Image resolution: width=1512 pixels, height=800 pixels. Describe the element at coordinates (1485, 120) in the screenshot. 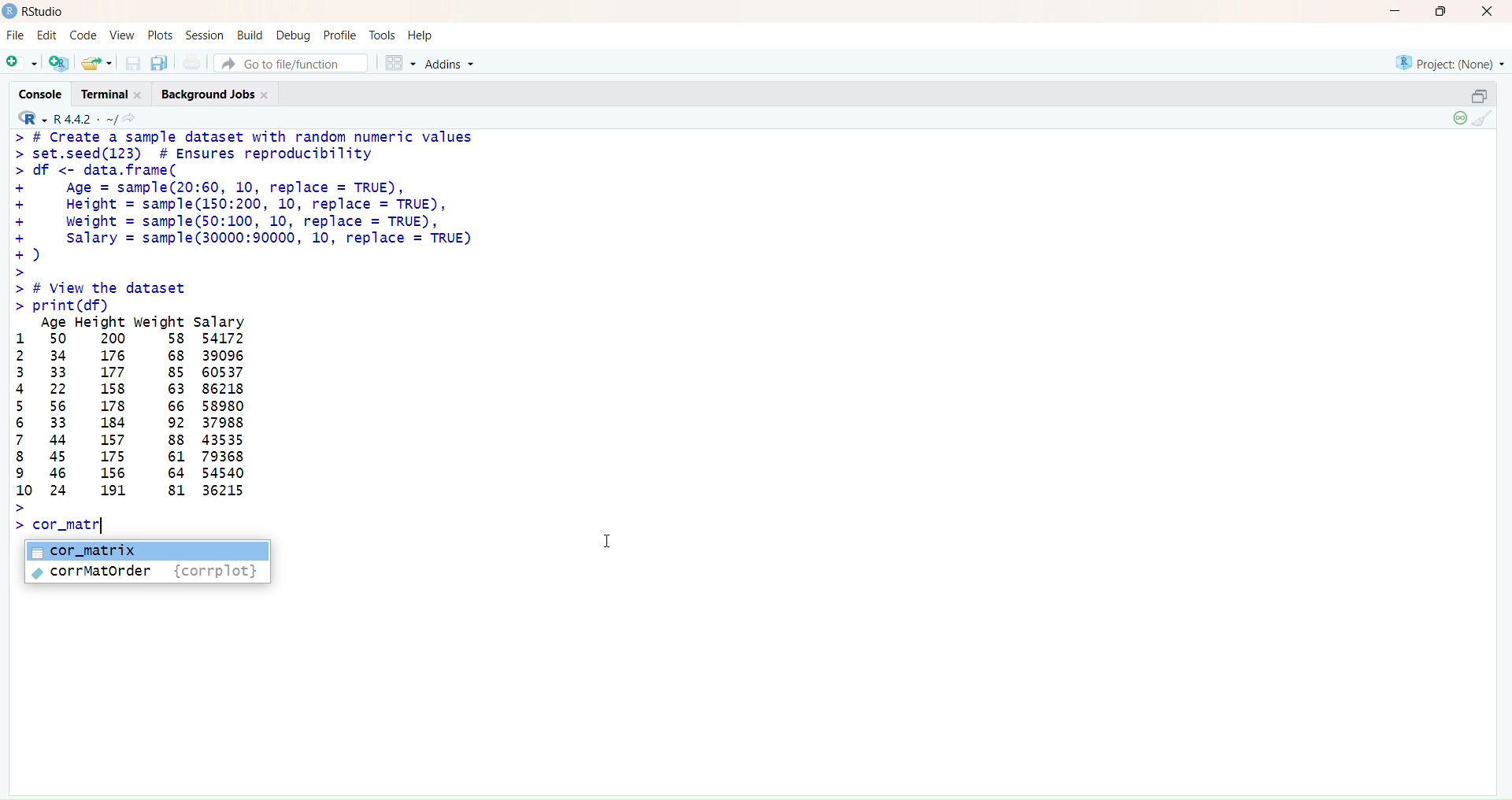

I see `Clear Console (Ctrl + L)` at that location.